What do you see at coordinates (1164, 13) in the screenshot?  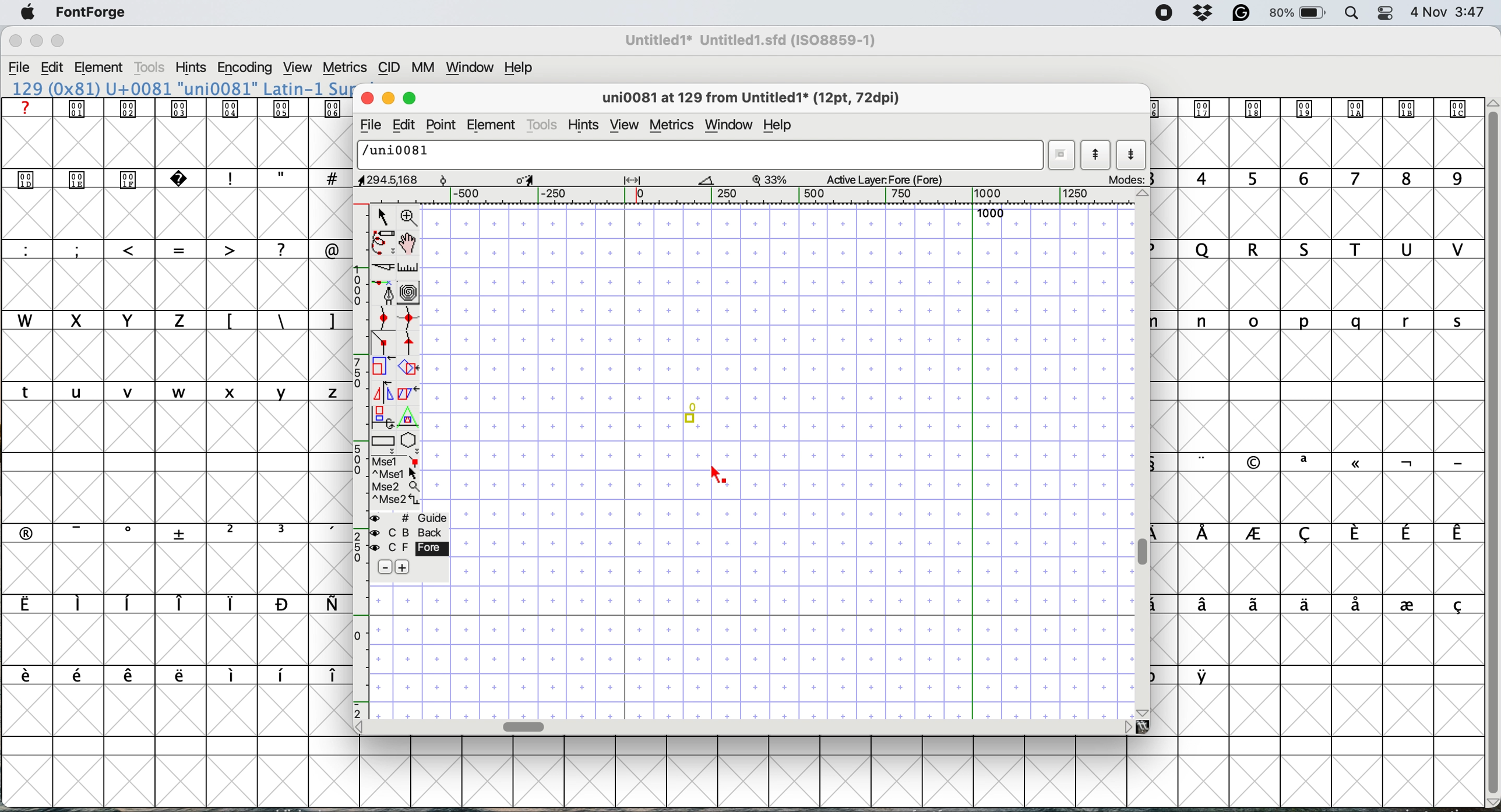 I see `Screen Recording Indicator` at bounding box center [1164, 13].